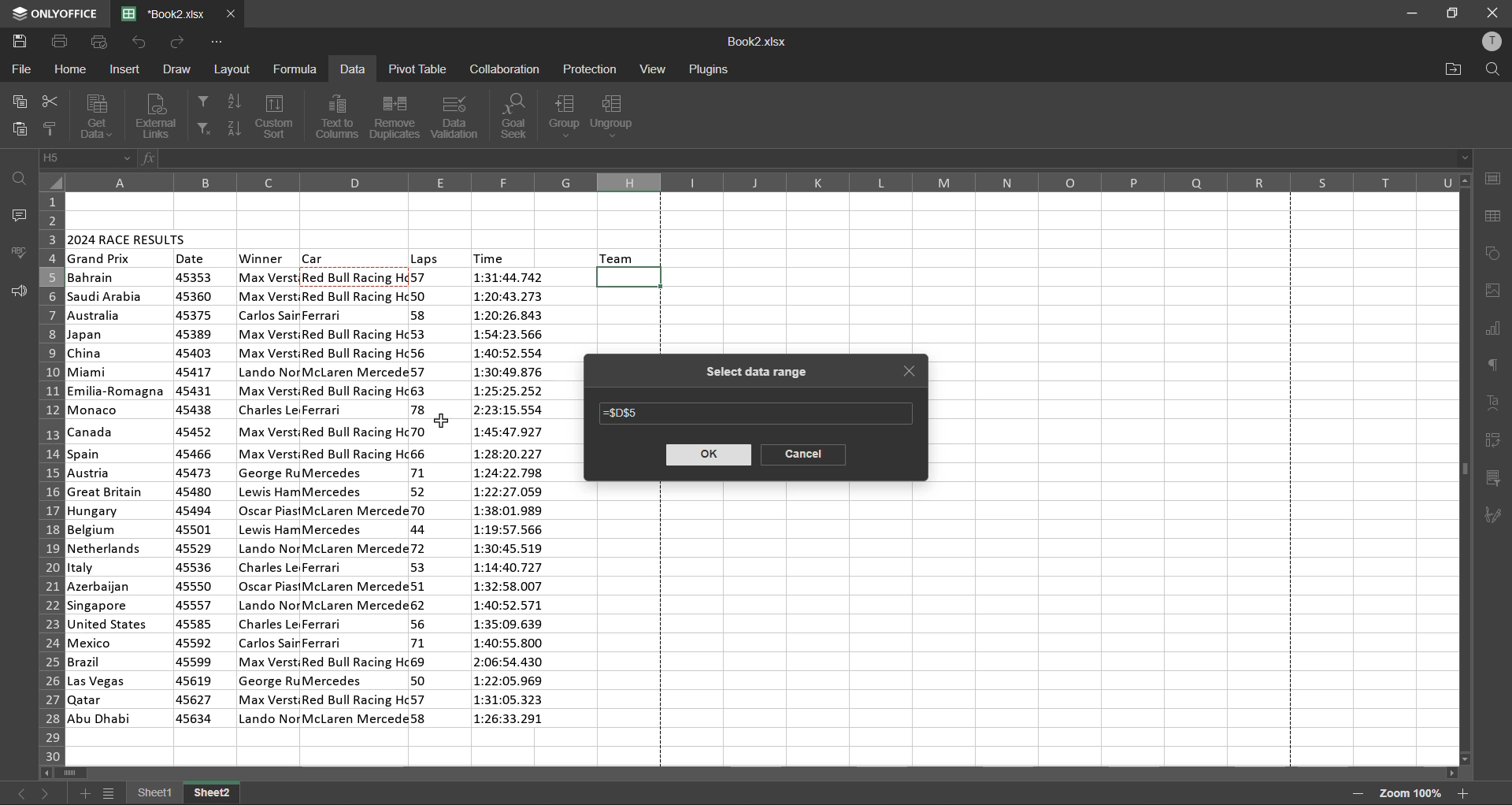  I want to click on profile, so click(1491, 44).